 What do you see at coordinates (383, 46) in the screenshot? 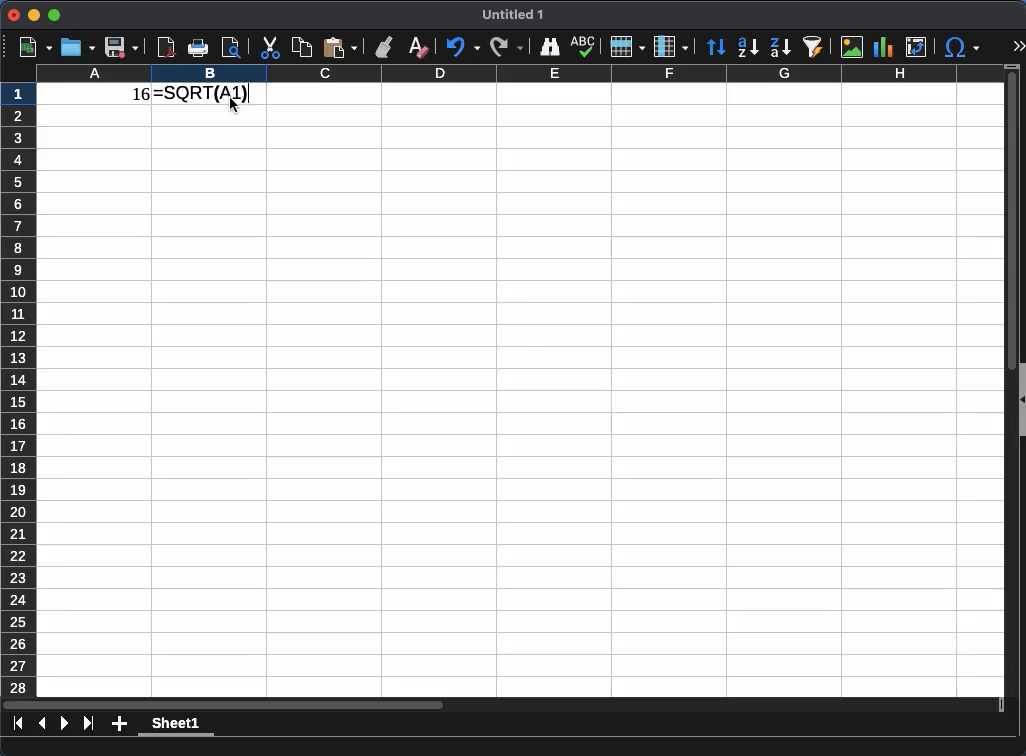
I see `clone formatting ` at bounding box center [383, 46].